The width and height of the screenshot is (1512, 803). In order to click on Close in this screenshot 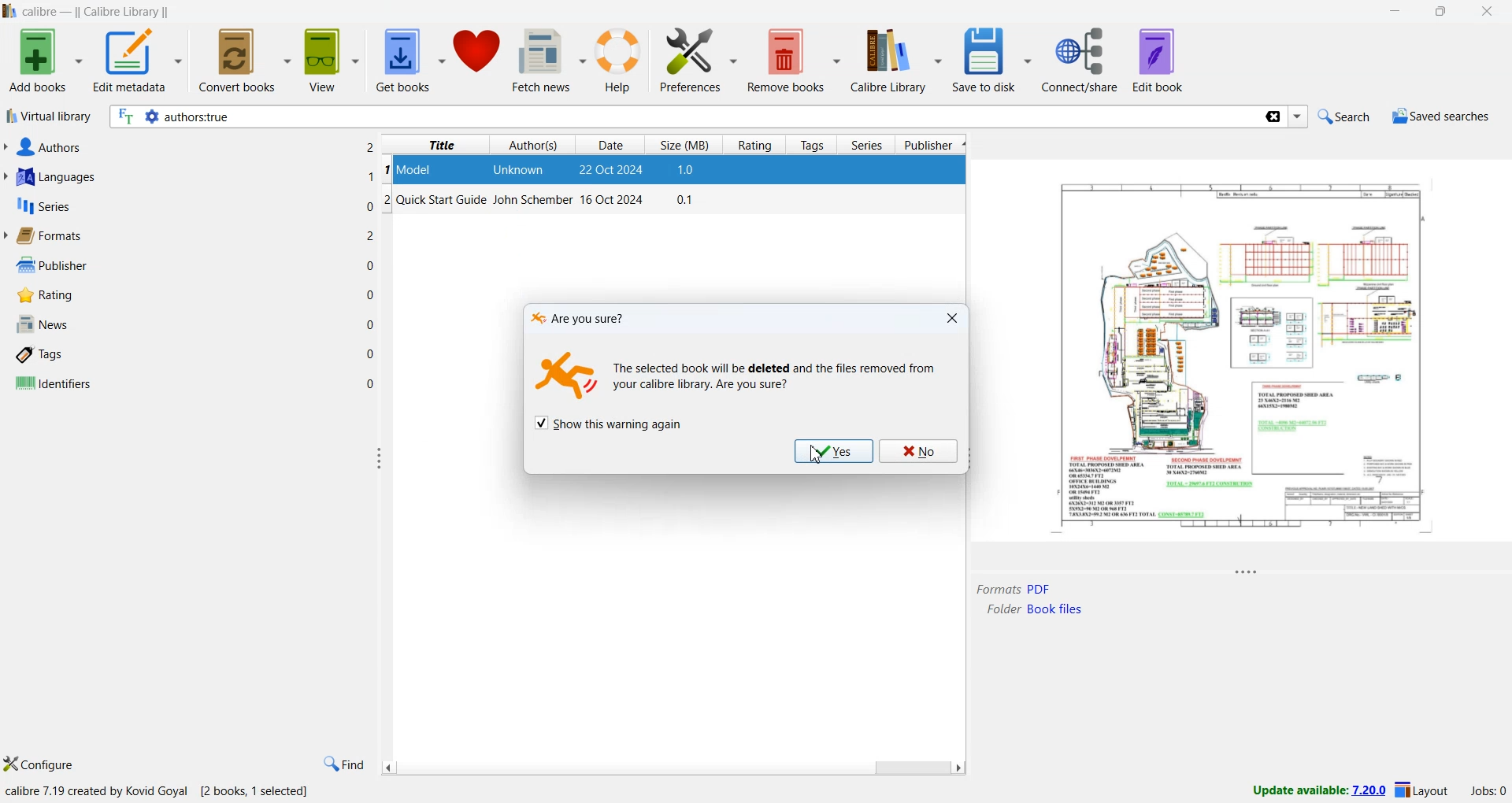, I will do `click(953, 318)`.